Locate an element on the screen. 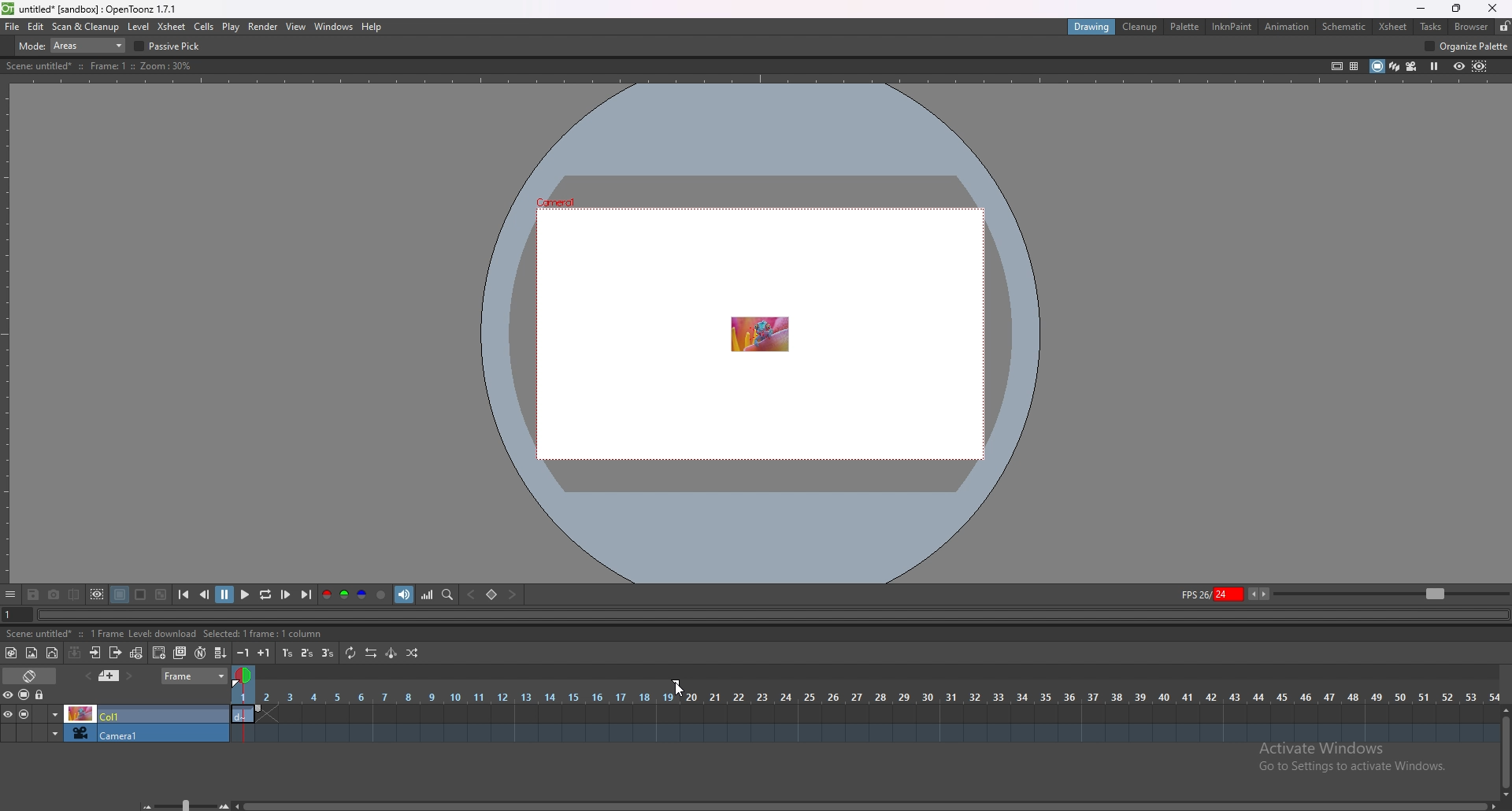 The height and width of the screenshot is (811, 1512). camera stand visibility is located at coordinates (25, 695).